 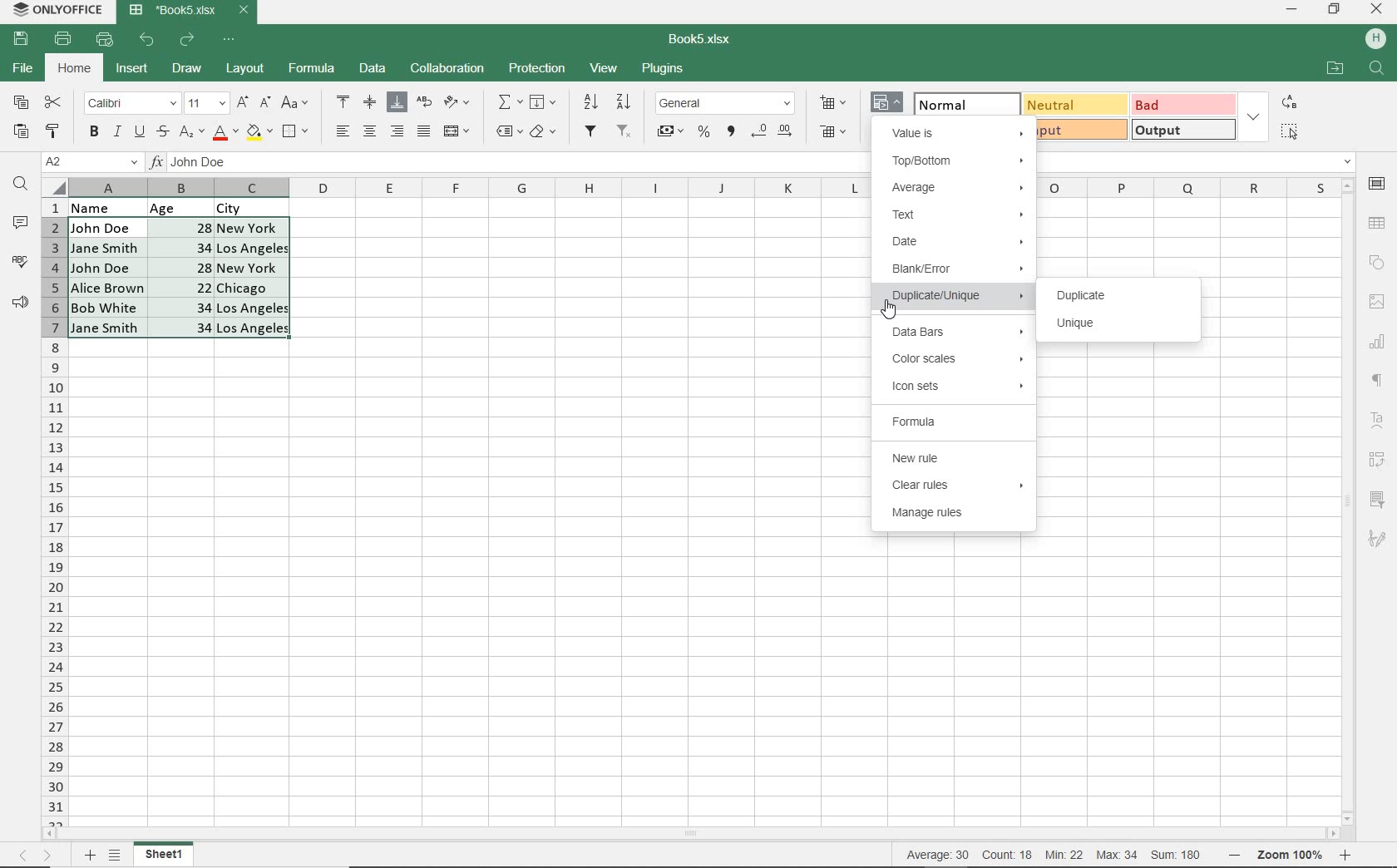 What do you see at coordinates (958, 458) in the screenshot?
I see `NEW RULE` at bounding box center [958, 458].